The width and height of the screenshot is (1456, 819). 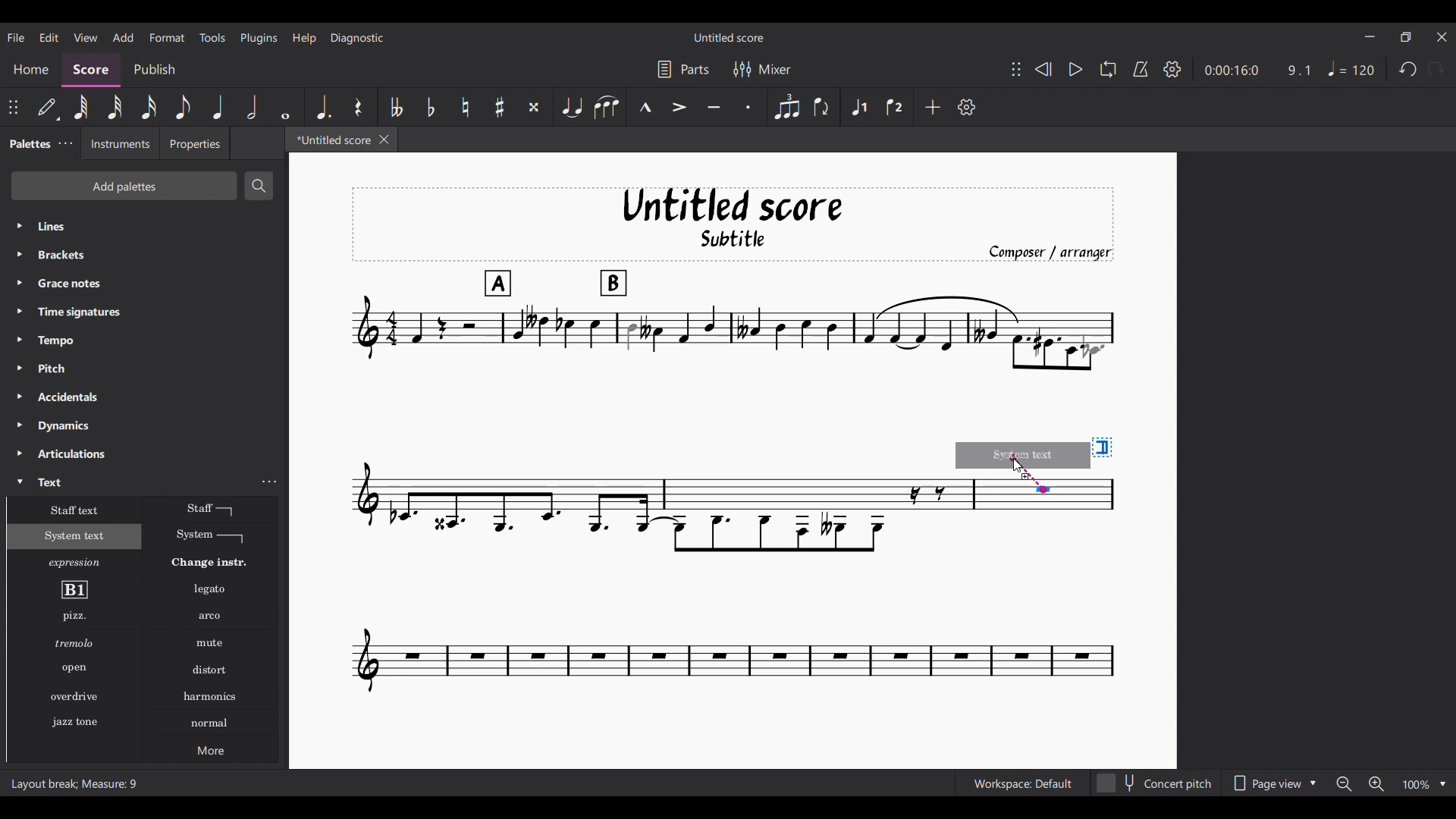 I want to click on Plugins menu, so click(x=259, y=38).